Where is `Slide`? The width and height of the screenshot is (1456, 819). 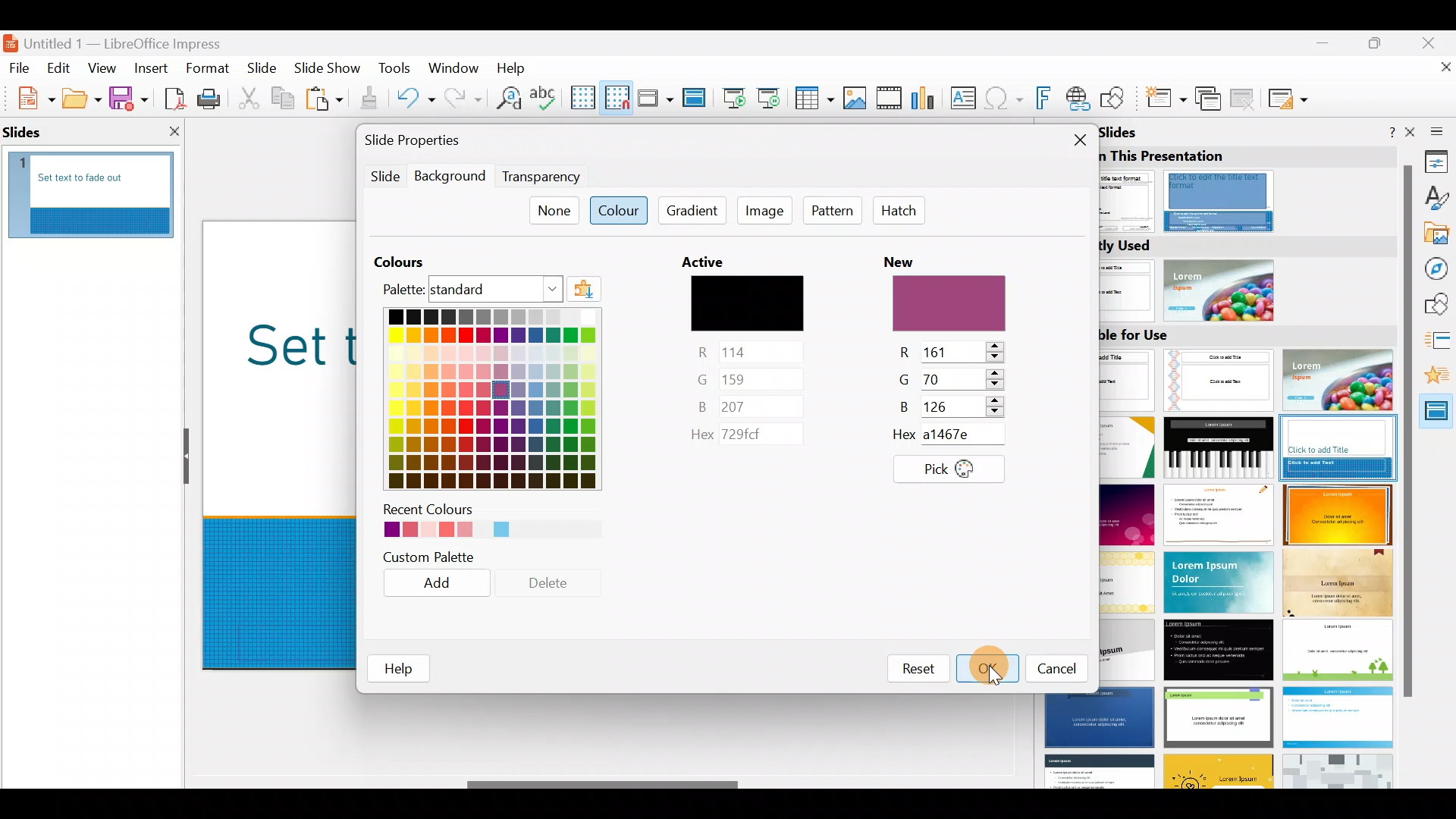
Slide is located at coordinates (381, 177).